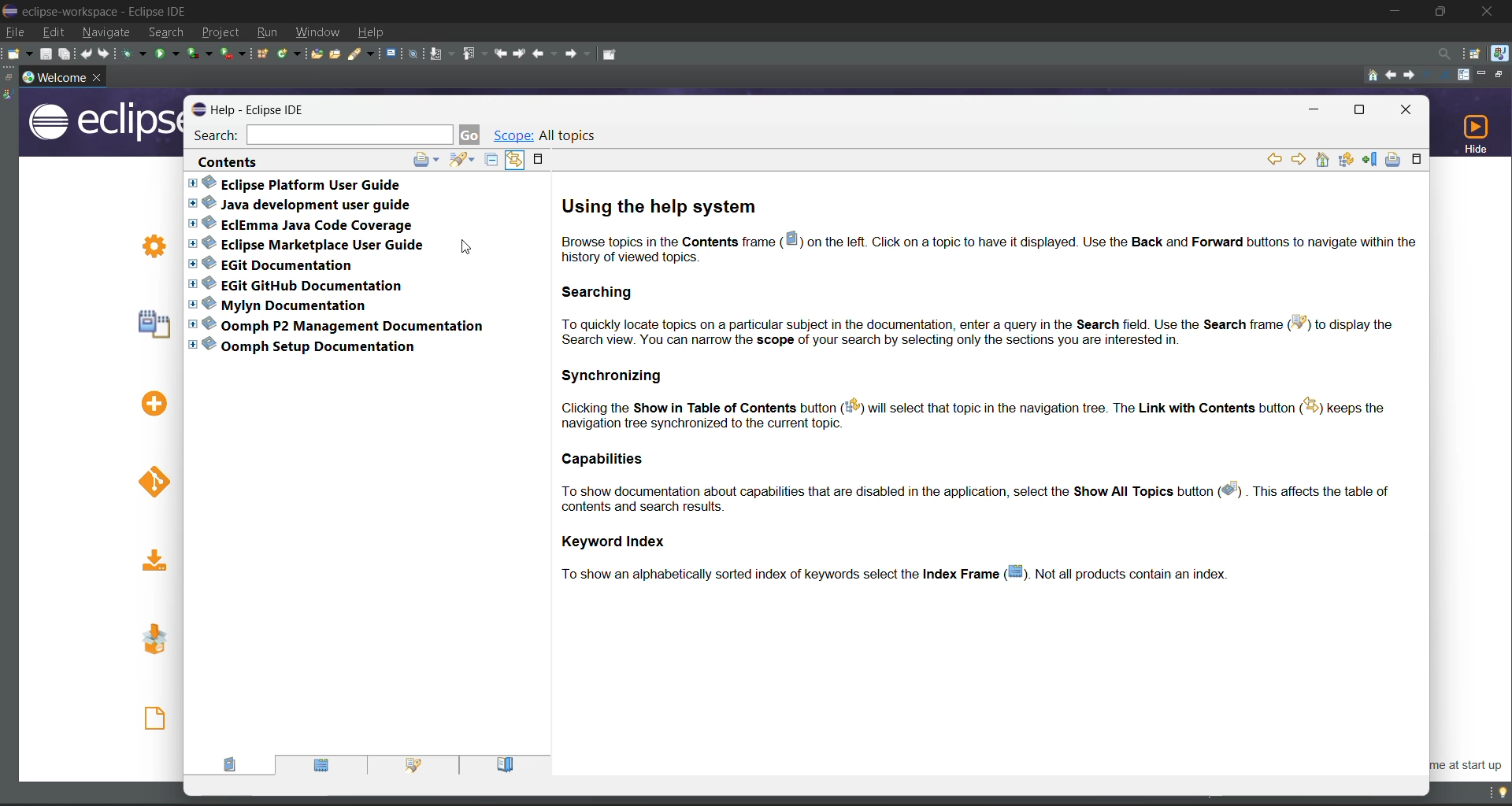  Describe the element at coordinates (1501, 53) in the screenshot. I see `java` at that location.